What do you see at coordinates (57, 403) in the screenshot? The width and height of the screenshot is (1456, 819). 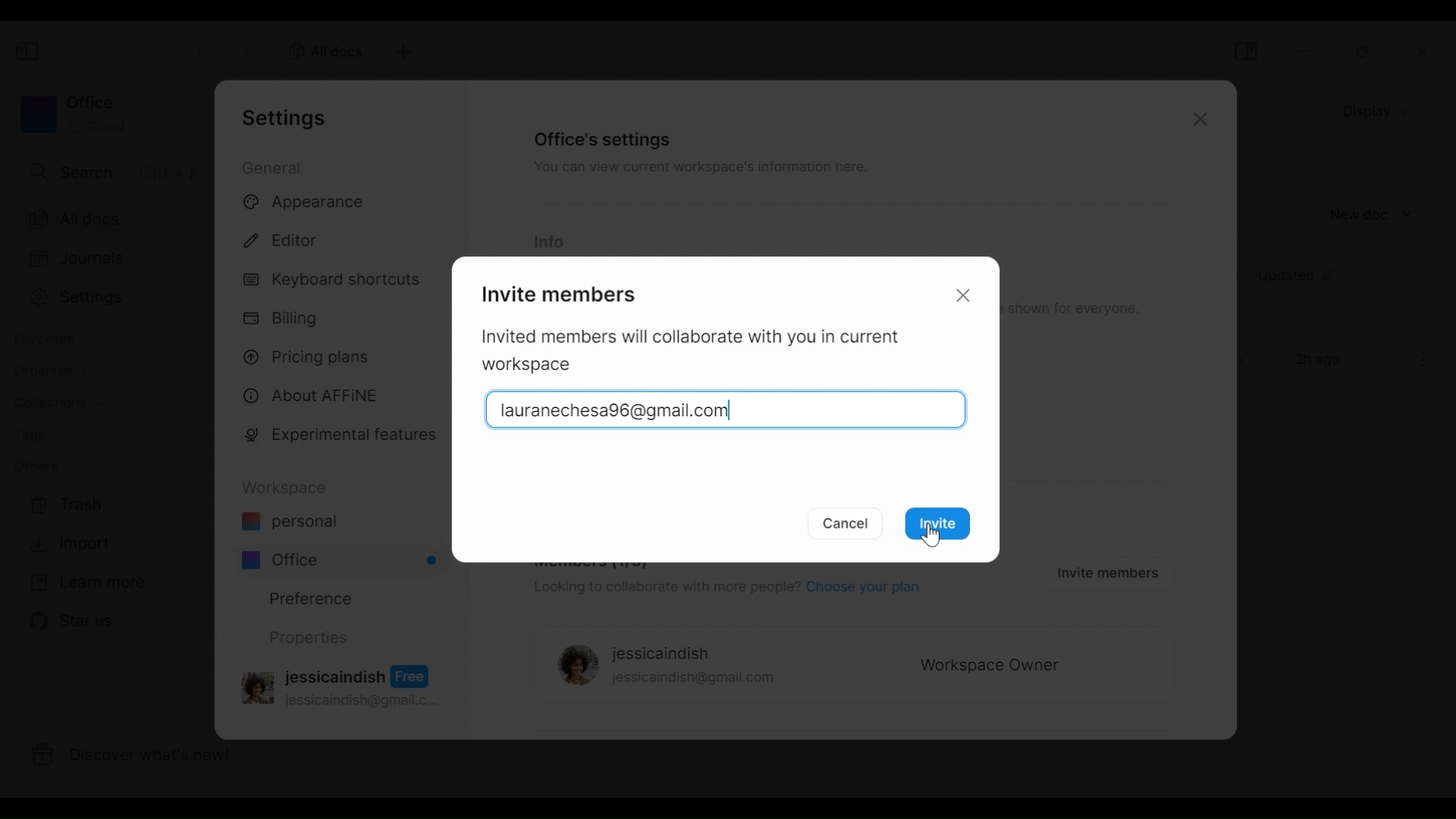 I see `collections` at bounding box center [57, 403].